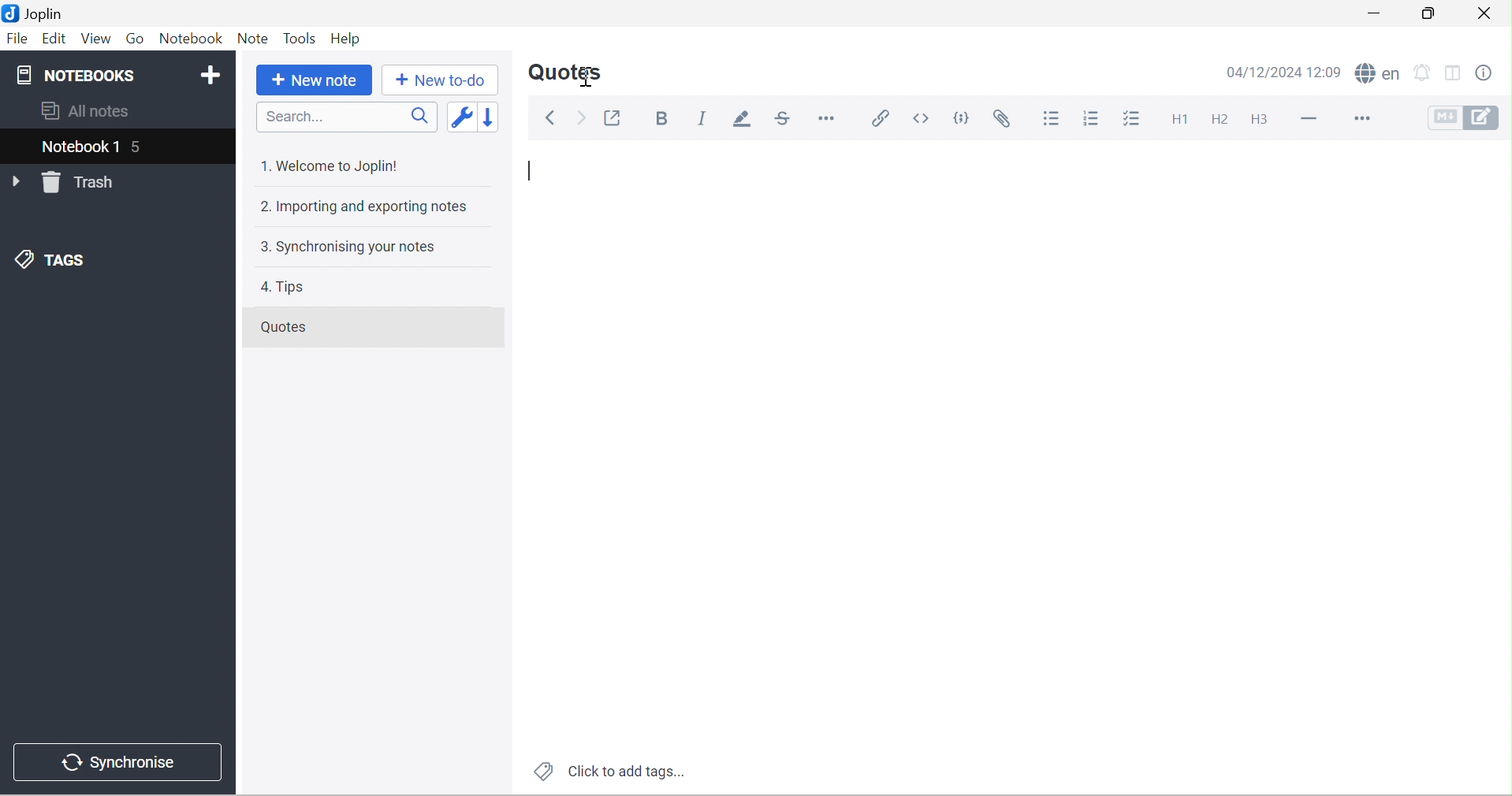 The height and width of the screenshot is (796, 1512). I want to click on Note, so click(255, 39).